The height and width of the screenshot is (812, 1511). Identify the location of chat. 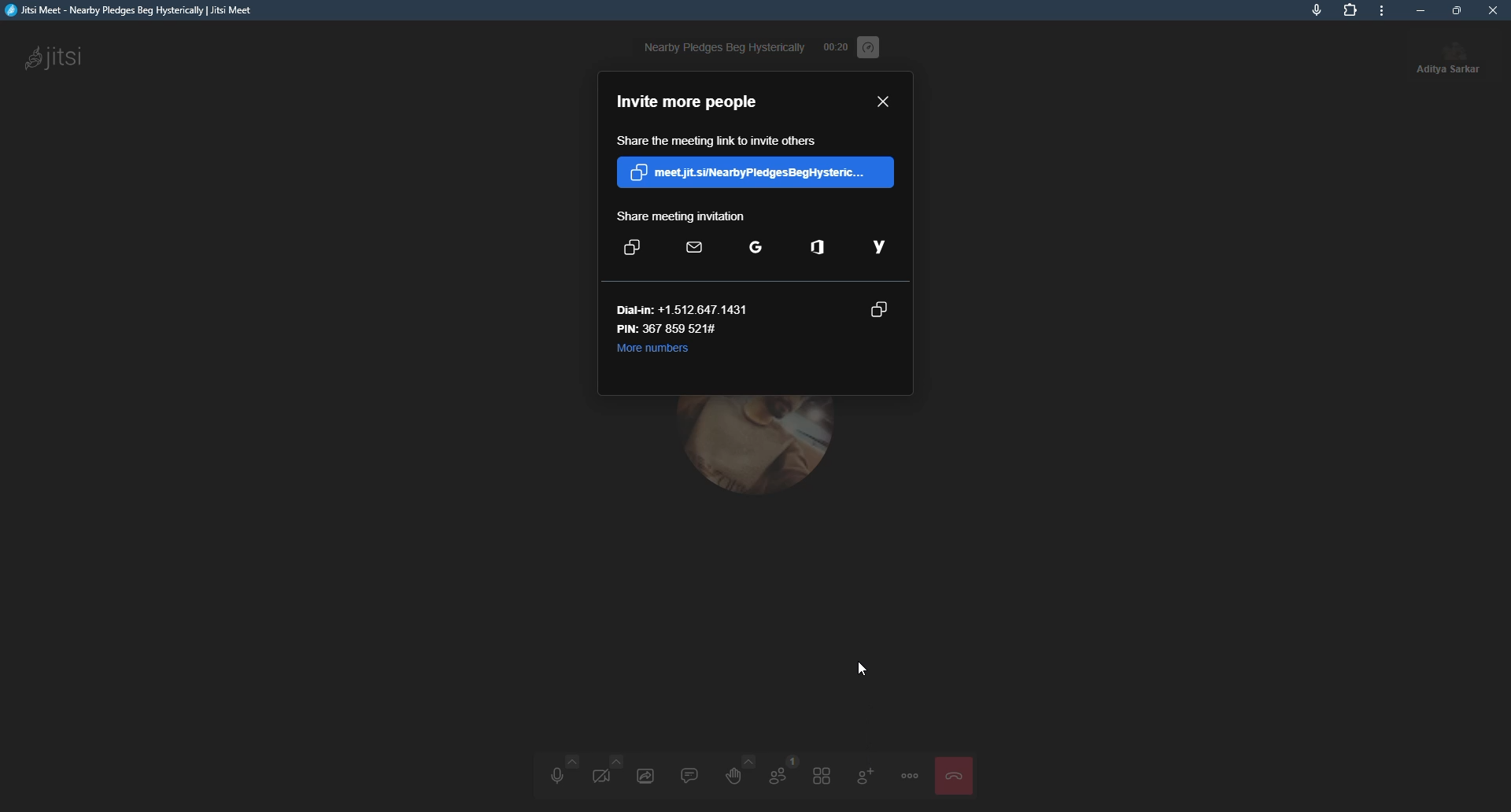
(689, 775).